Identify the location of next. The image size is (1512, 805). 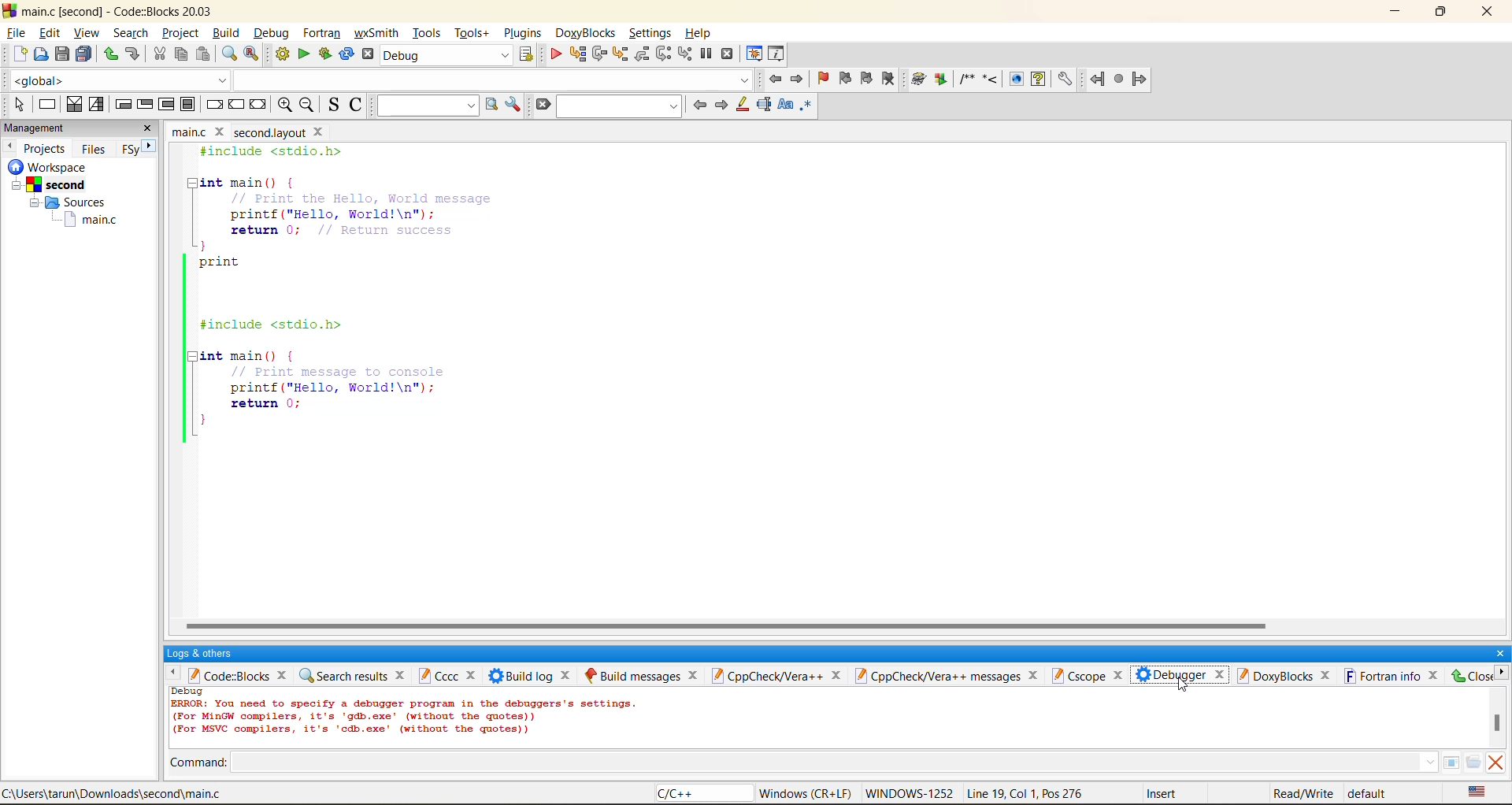
(722, 104).